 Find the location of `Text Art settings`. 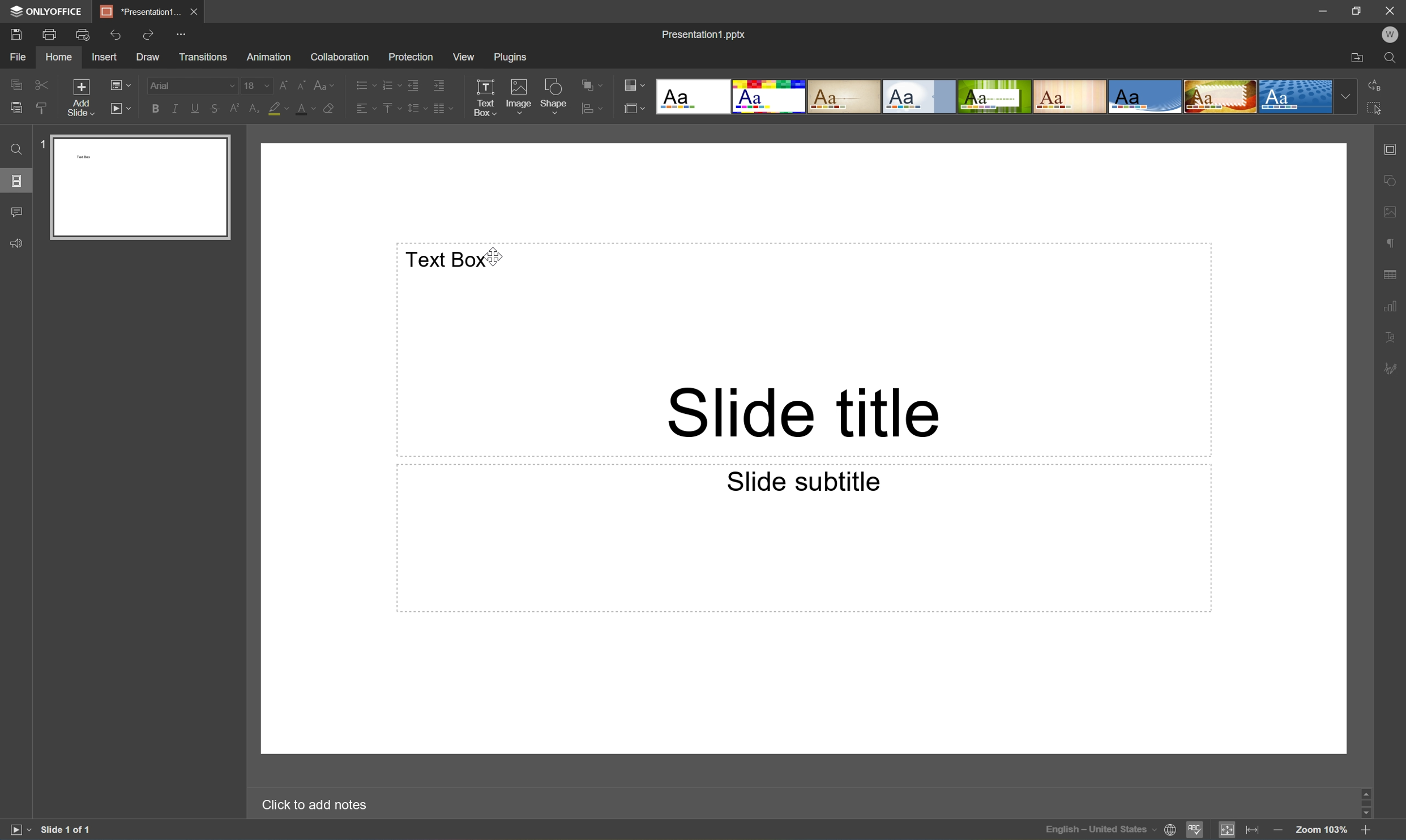

Text Art settings is located at coordinates (1394, 337).